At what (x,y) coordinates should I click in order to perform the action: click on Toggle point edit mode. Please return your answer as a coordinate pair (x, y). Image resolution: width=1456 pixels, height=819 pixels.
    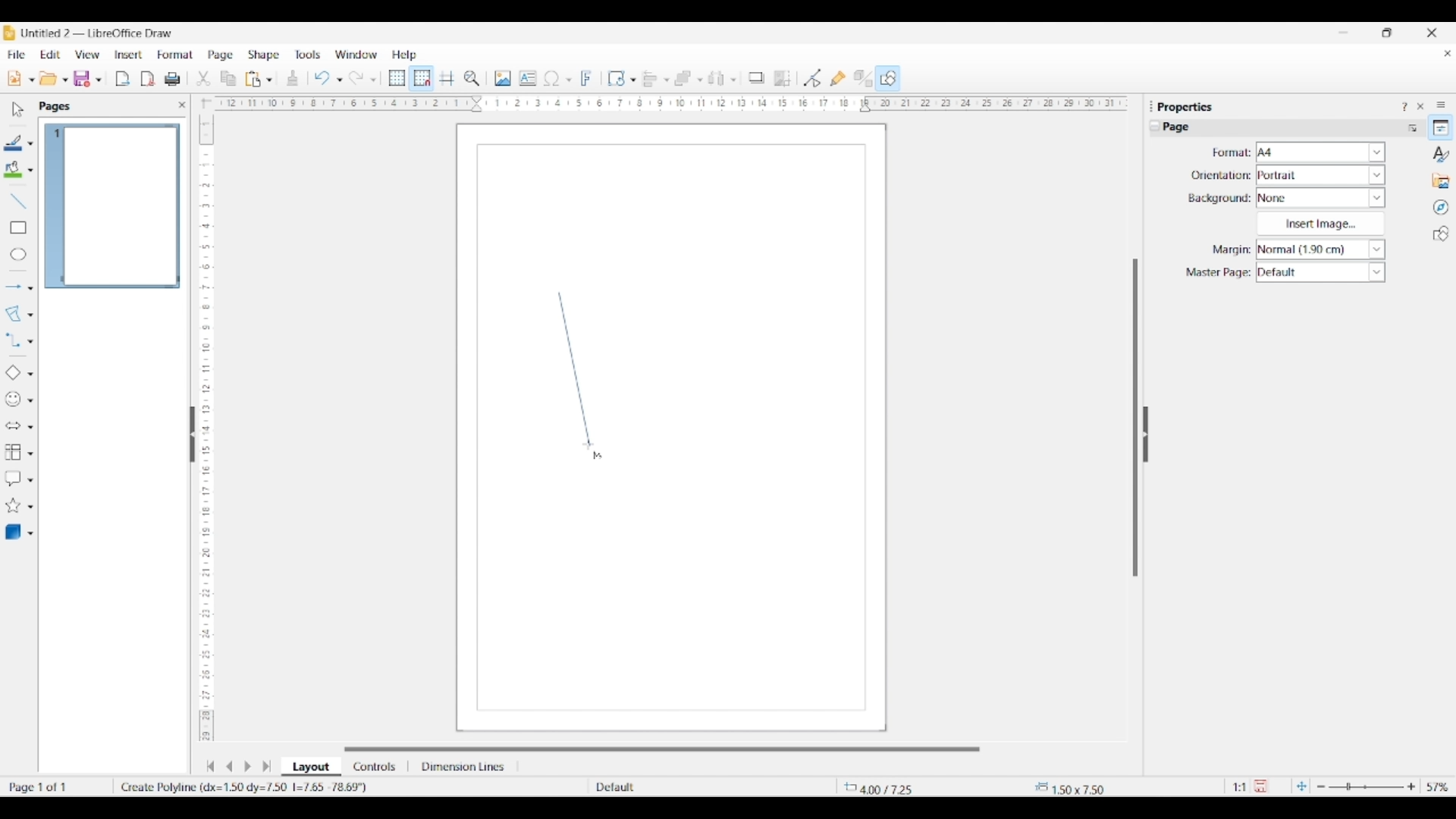
    Looking at the image, I should click on (813, 79).